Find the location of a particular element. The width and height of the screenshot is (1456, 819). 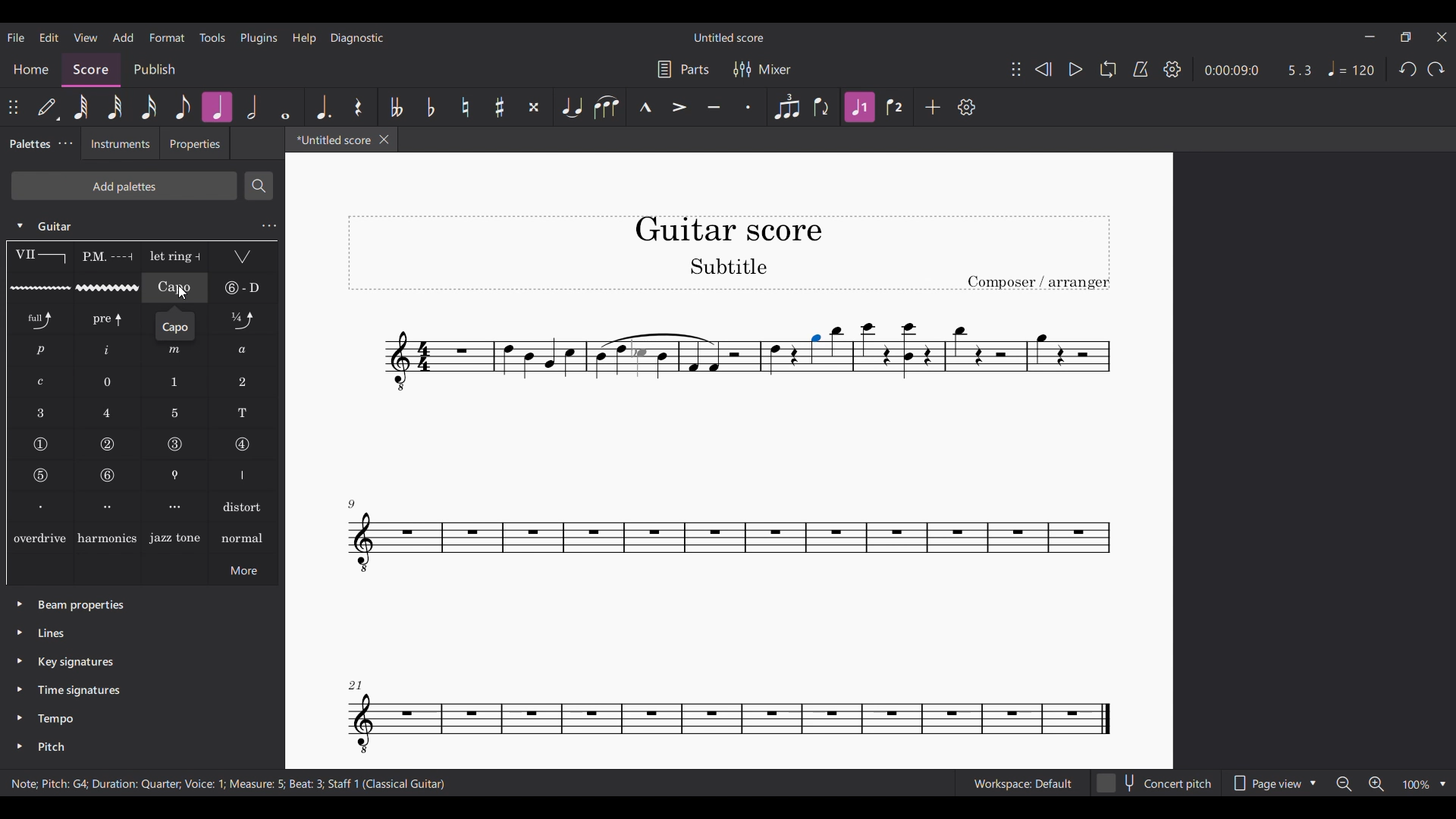

Edit menu is located at coordinates (49, 38).